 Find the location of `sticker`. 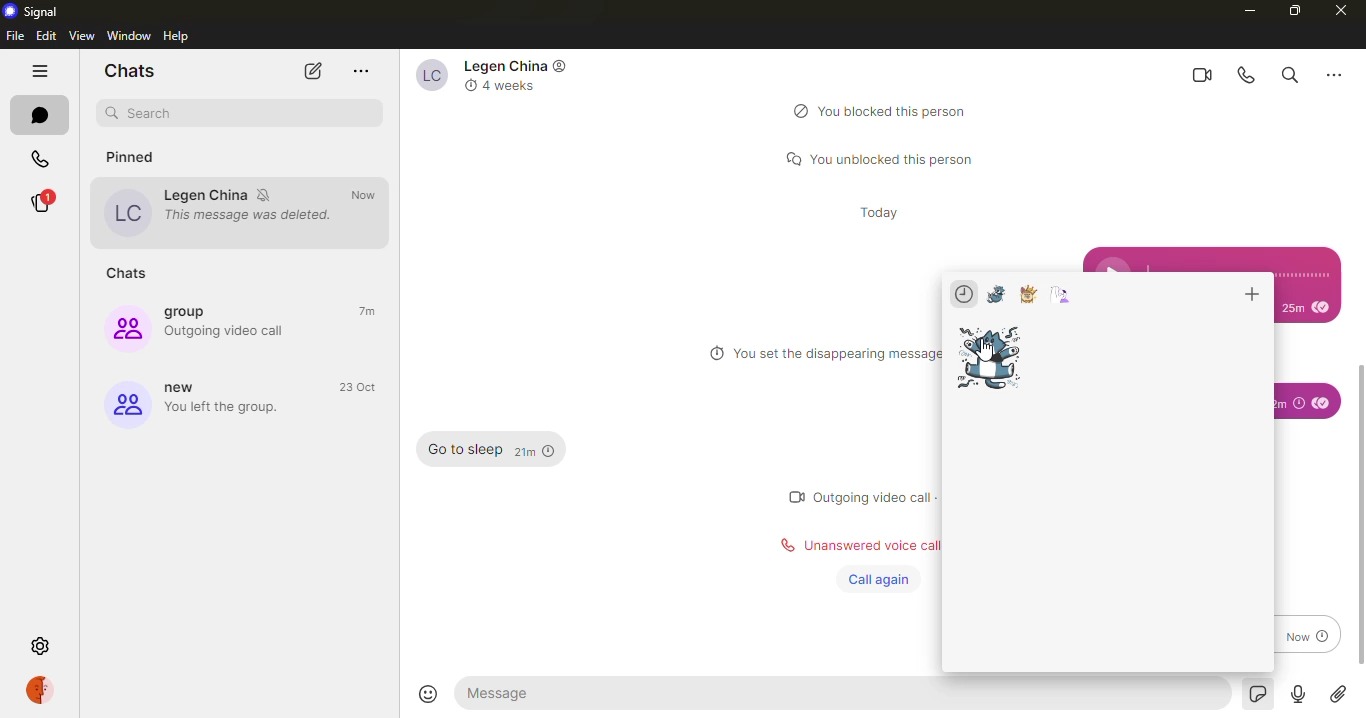

sticker is located at coordinates (1254, 693).